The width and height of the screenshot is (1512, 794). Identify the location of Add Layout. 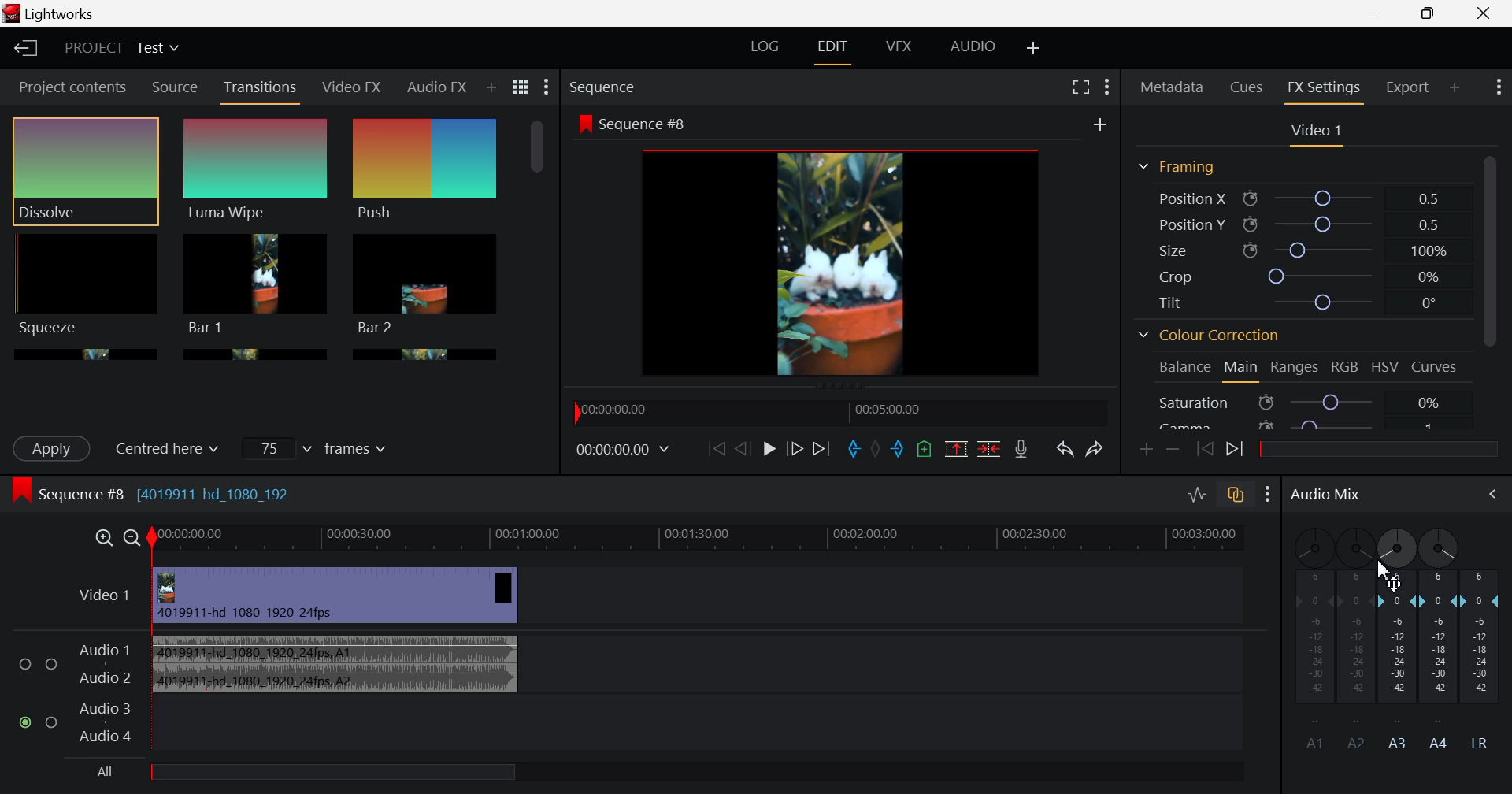
(1032, 47).